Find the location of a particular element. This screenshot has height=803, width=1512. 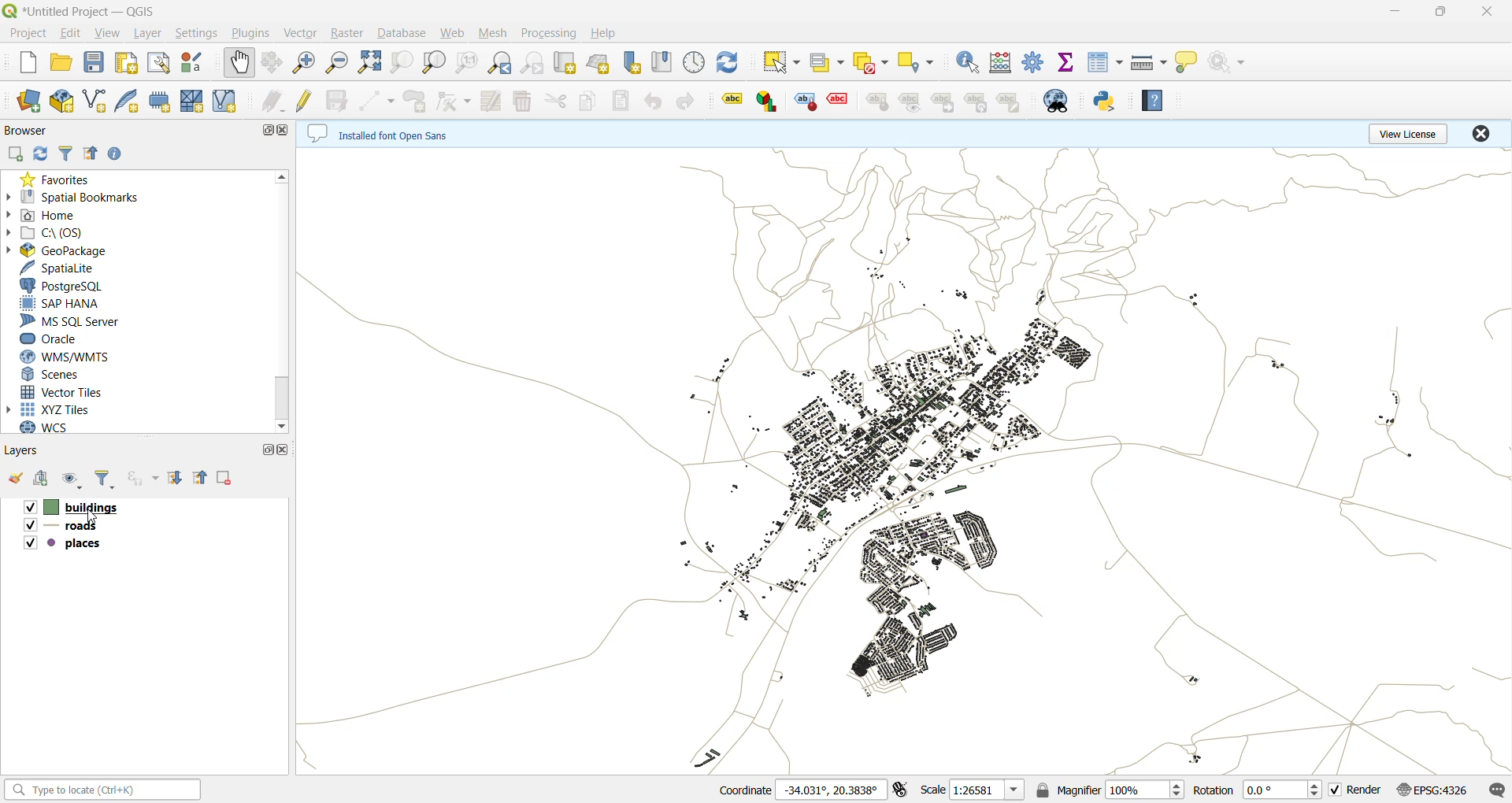

open is located at coordinates (61, 65).